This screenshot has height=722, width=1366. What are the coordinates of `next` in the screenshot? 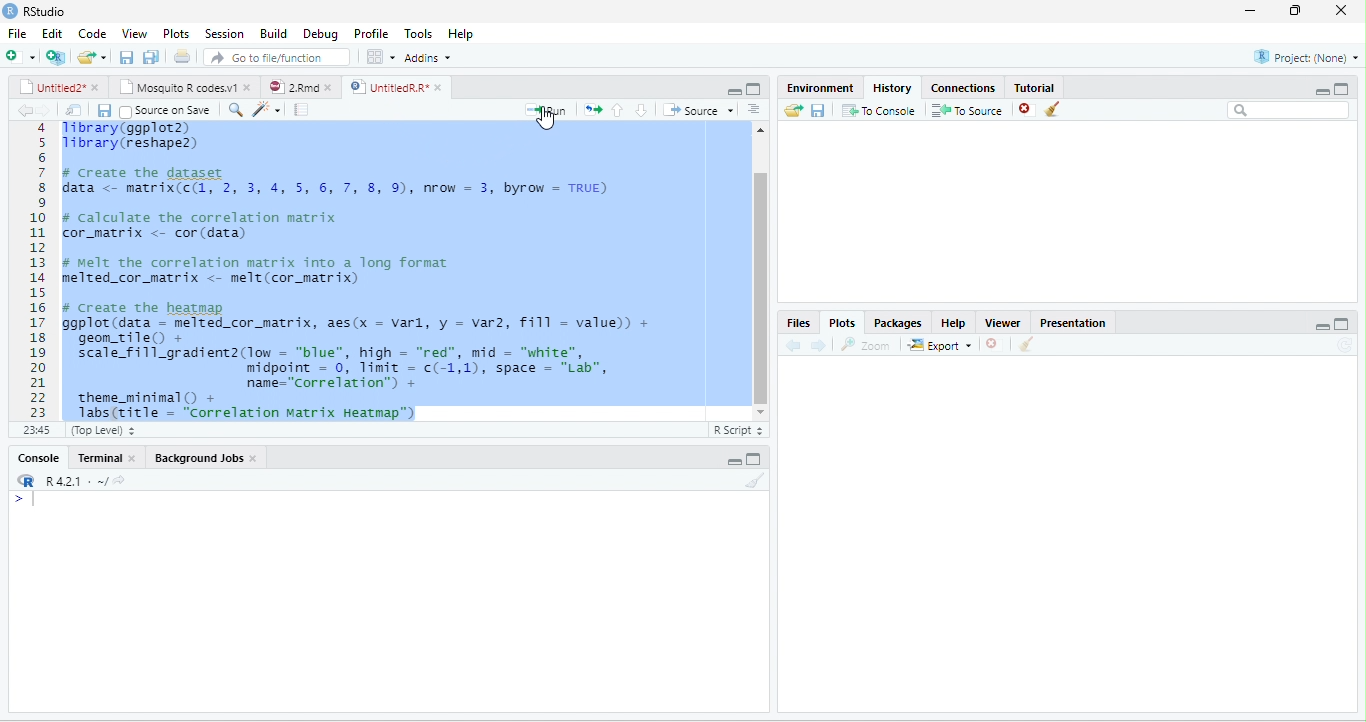 It's located at (824, 344).